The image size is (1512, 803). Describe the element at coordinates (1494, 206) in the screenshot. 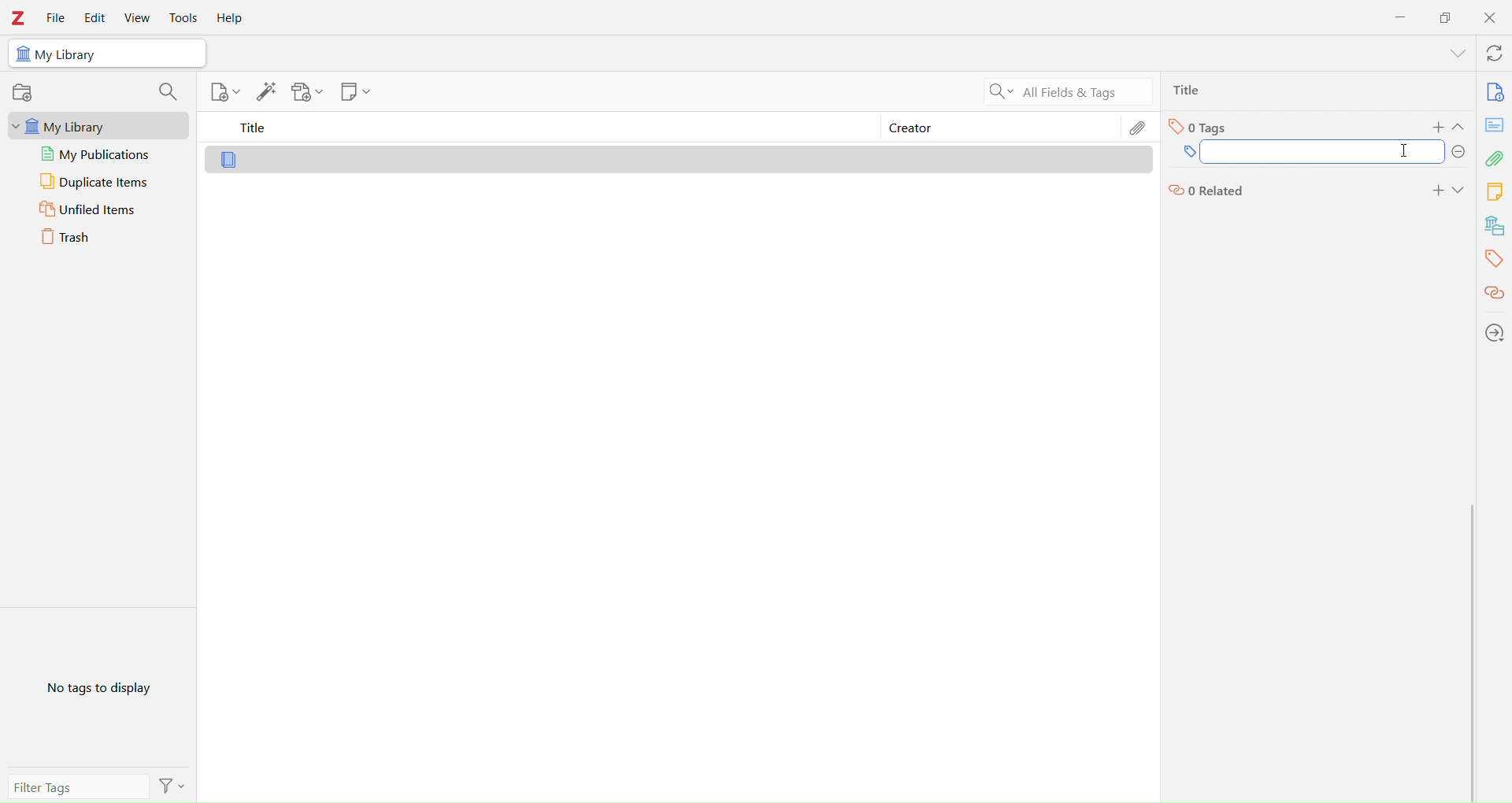

I see `Library tools bar` at that location.